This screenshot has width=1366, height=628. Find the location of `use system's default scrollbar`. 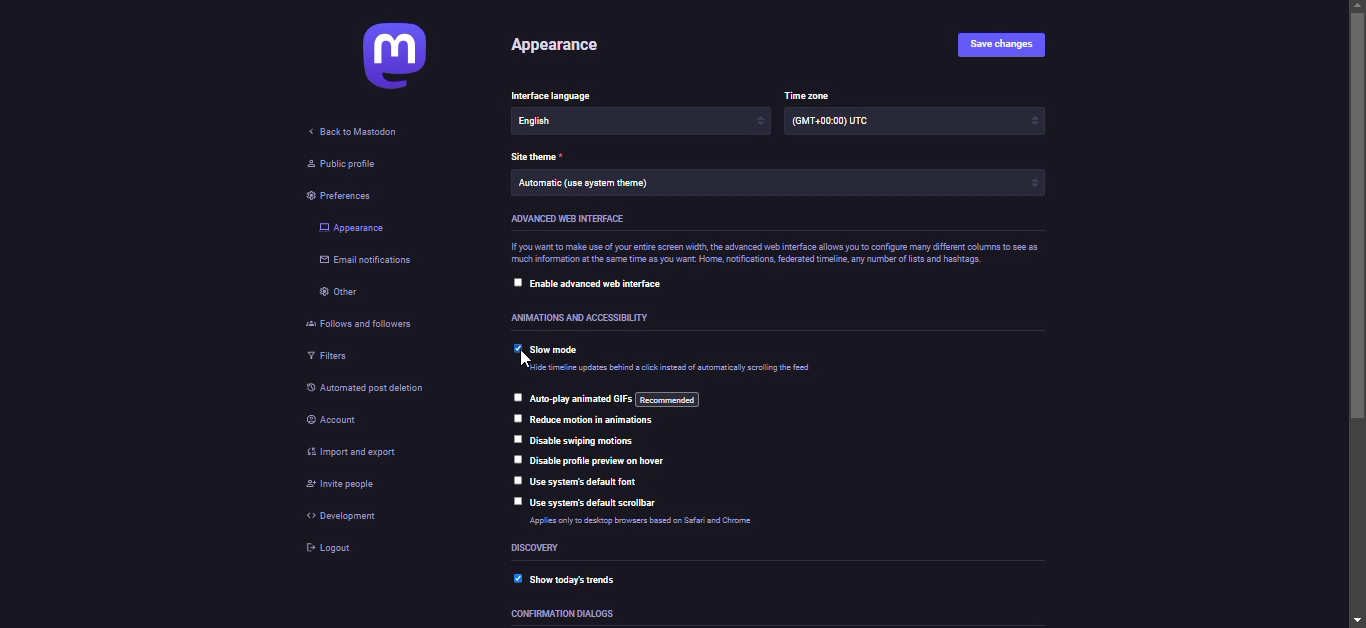

use system's default scrollbar is located at coordinates (597, 503).